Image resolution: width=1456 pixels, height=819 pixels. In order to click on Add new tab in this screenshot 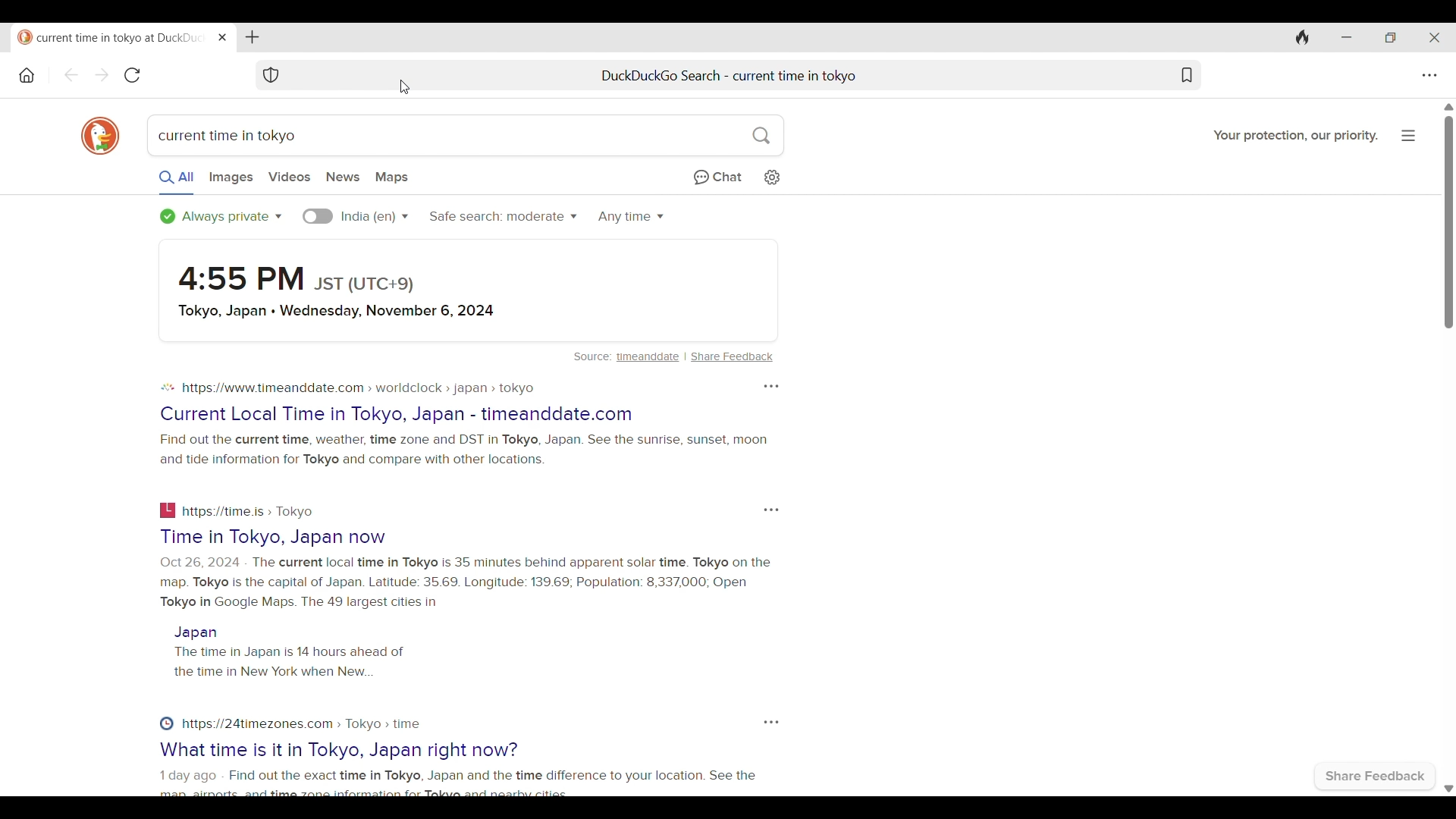, I will do `click(252, 37)`.